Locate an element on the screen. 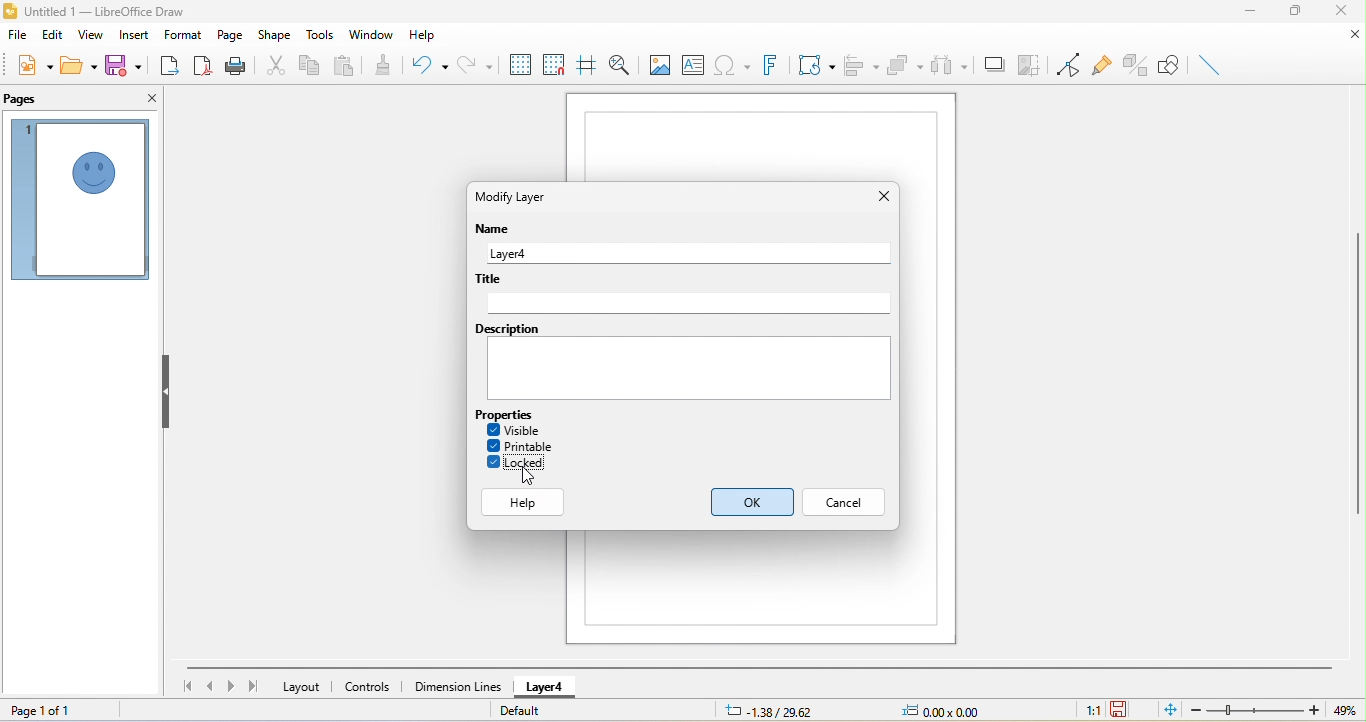  close is located at coordinates (880, 194).